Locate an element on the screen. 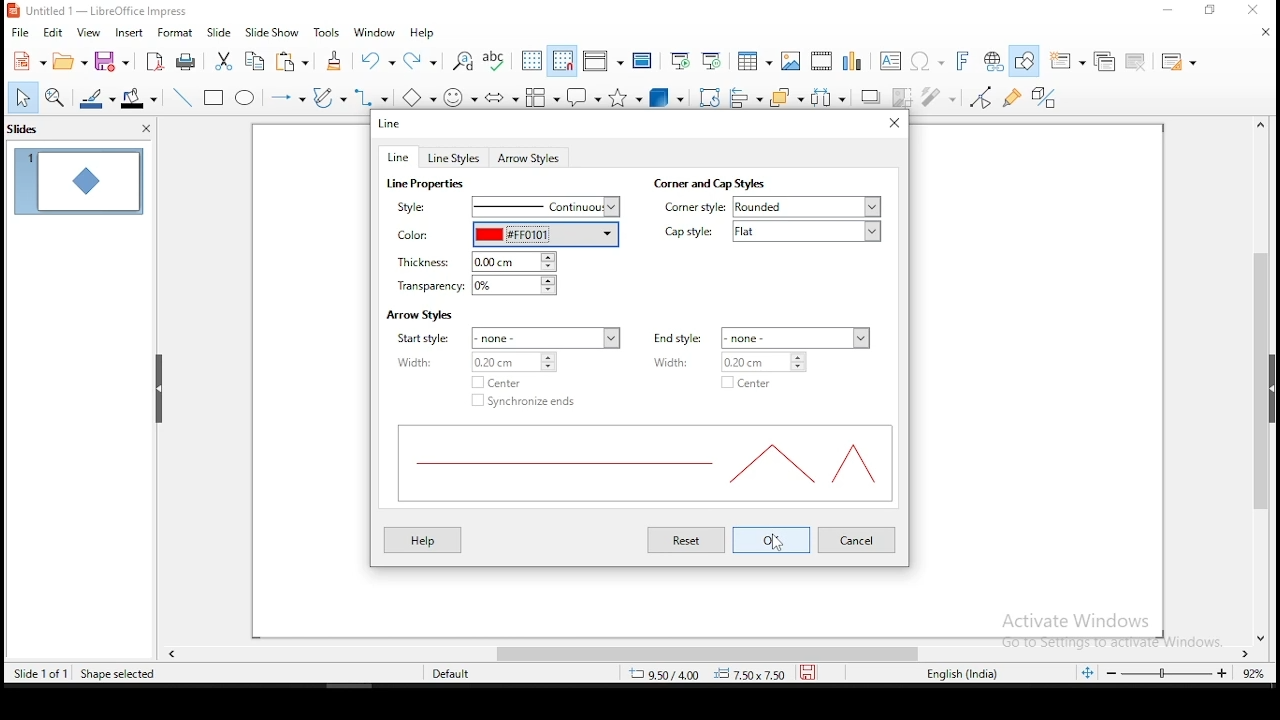 The image size is (1280, 720). text box is located at coordinates (893, 60).